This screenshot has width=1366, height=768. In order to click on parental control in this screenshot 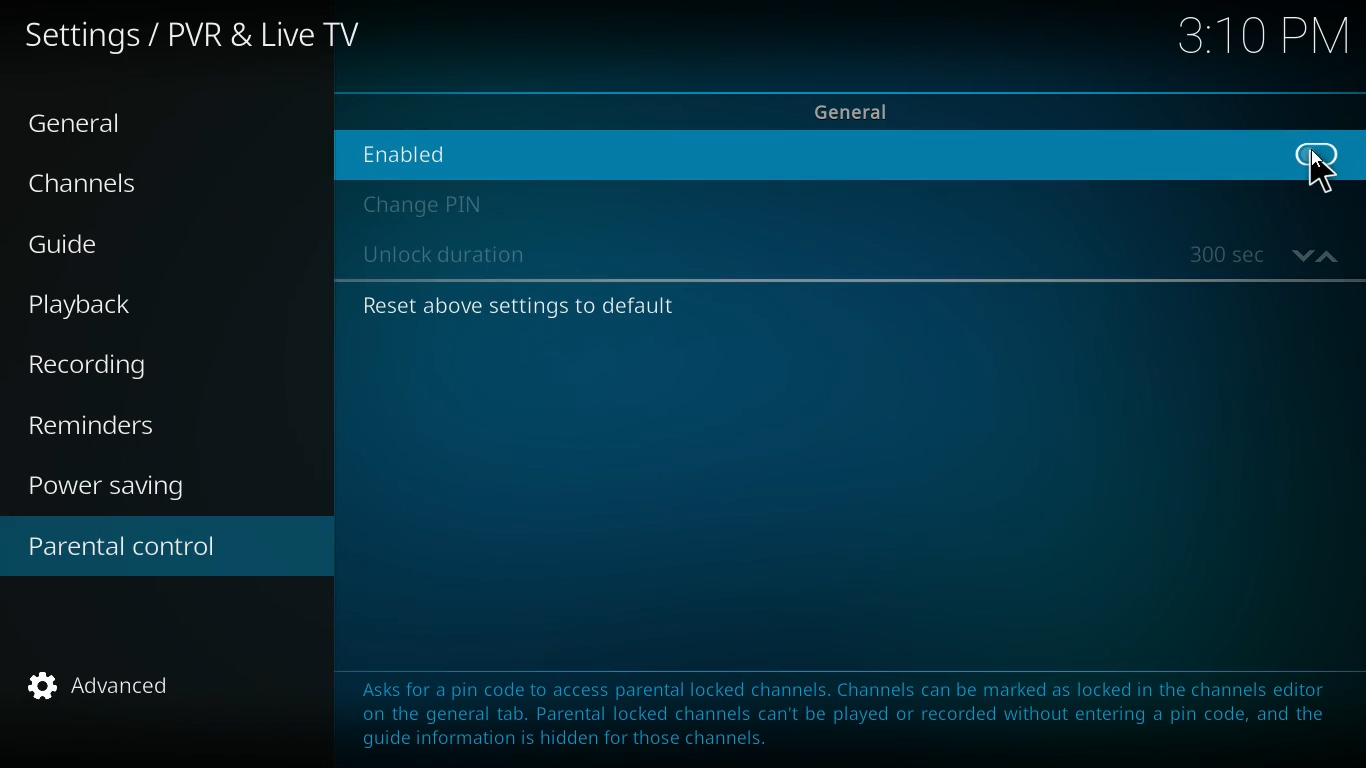, I will do `click(167, 549)`.